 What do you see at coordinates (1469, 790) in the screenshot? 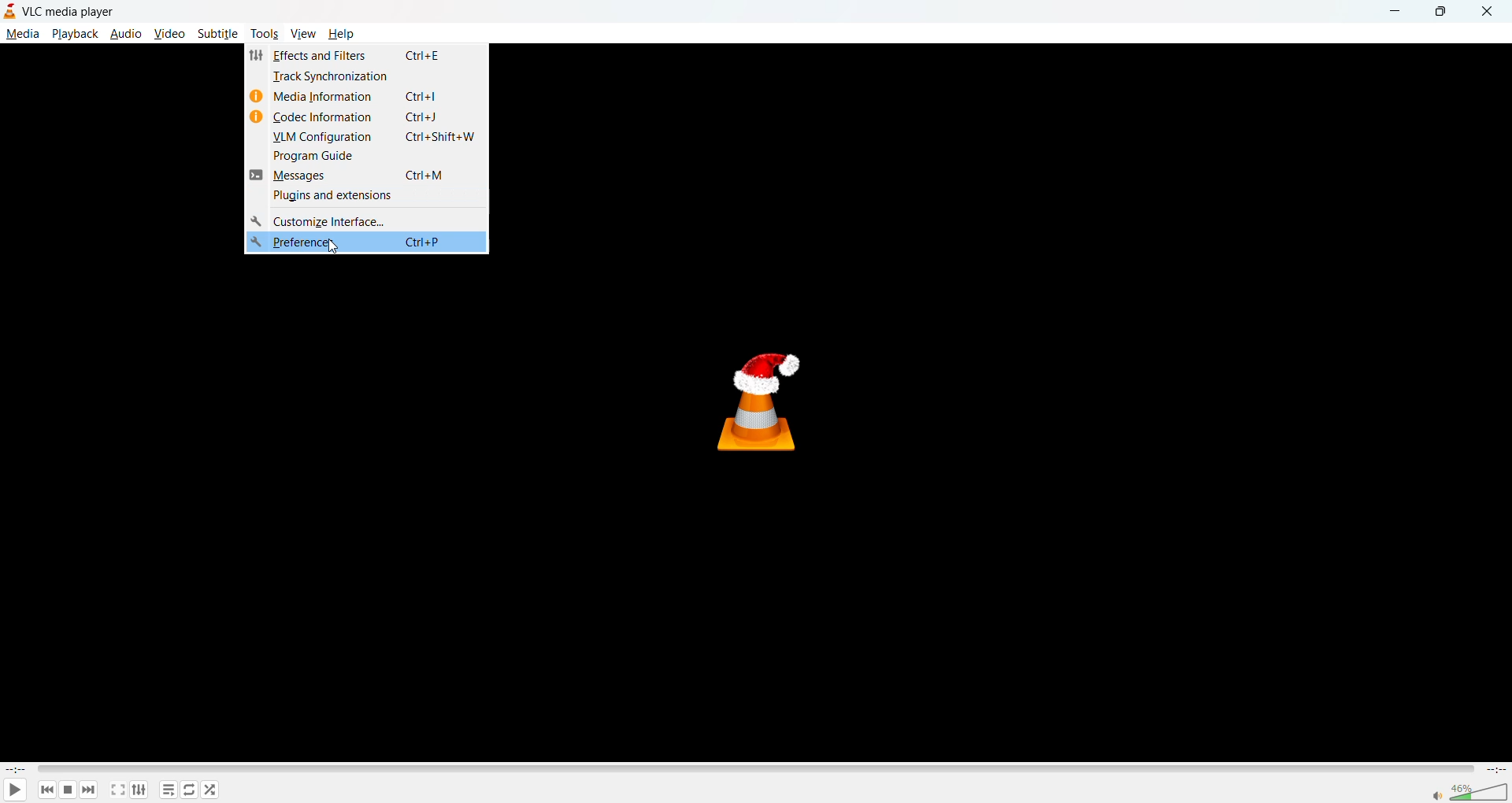
I see `volume` at bounding box center [1469, 790].